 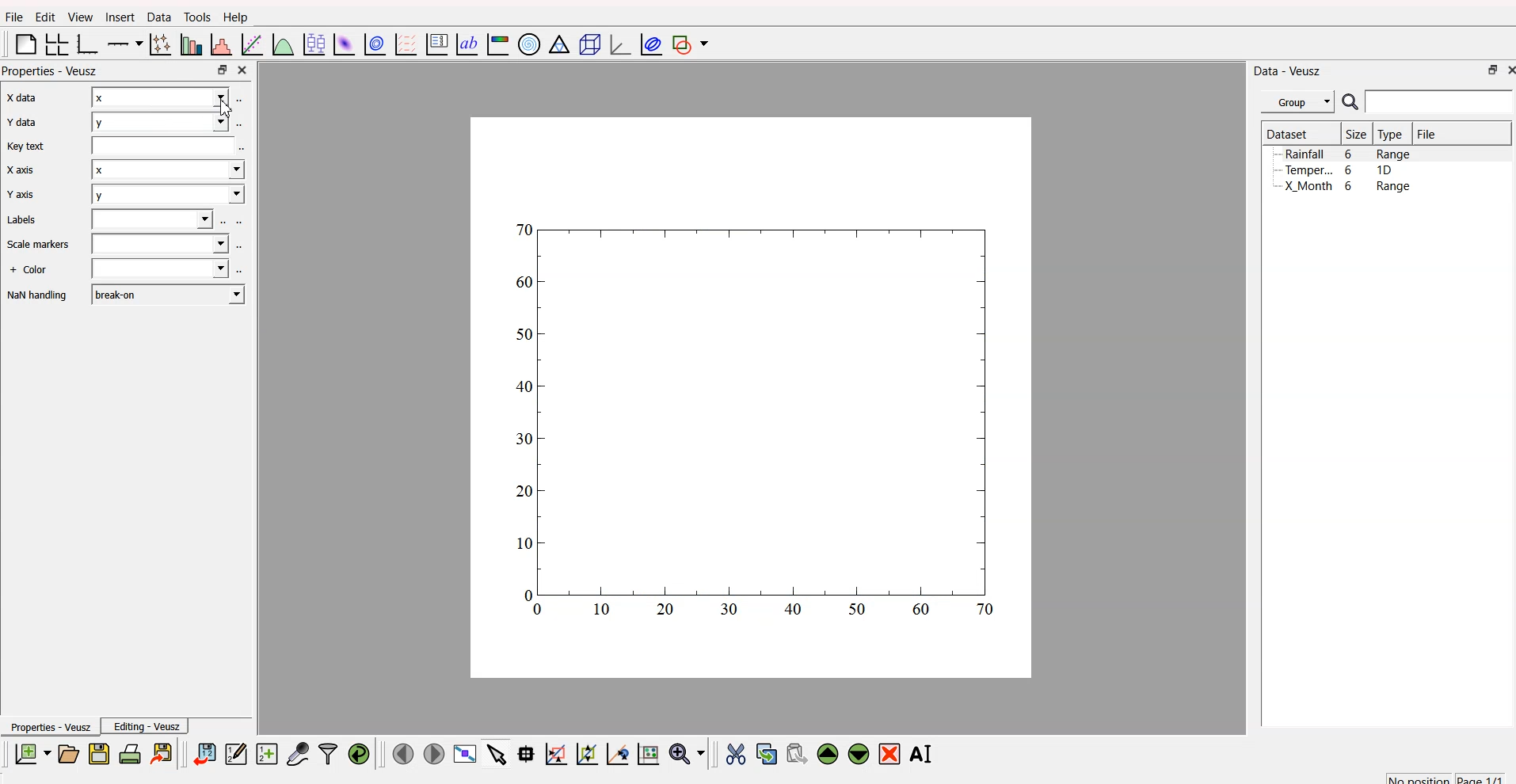 What do you see at coordinates (76, 17) in the screenshot?
I see `View` at bounding box center [76, 17].